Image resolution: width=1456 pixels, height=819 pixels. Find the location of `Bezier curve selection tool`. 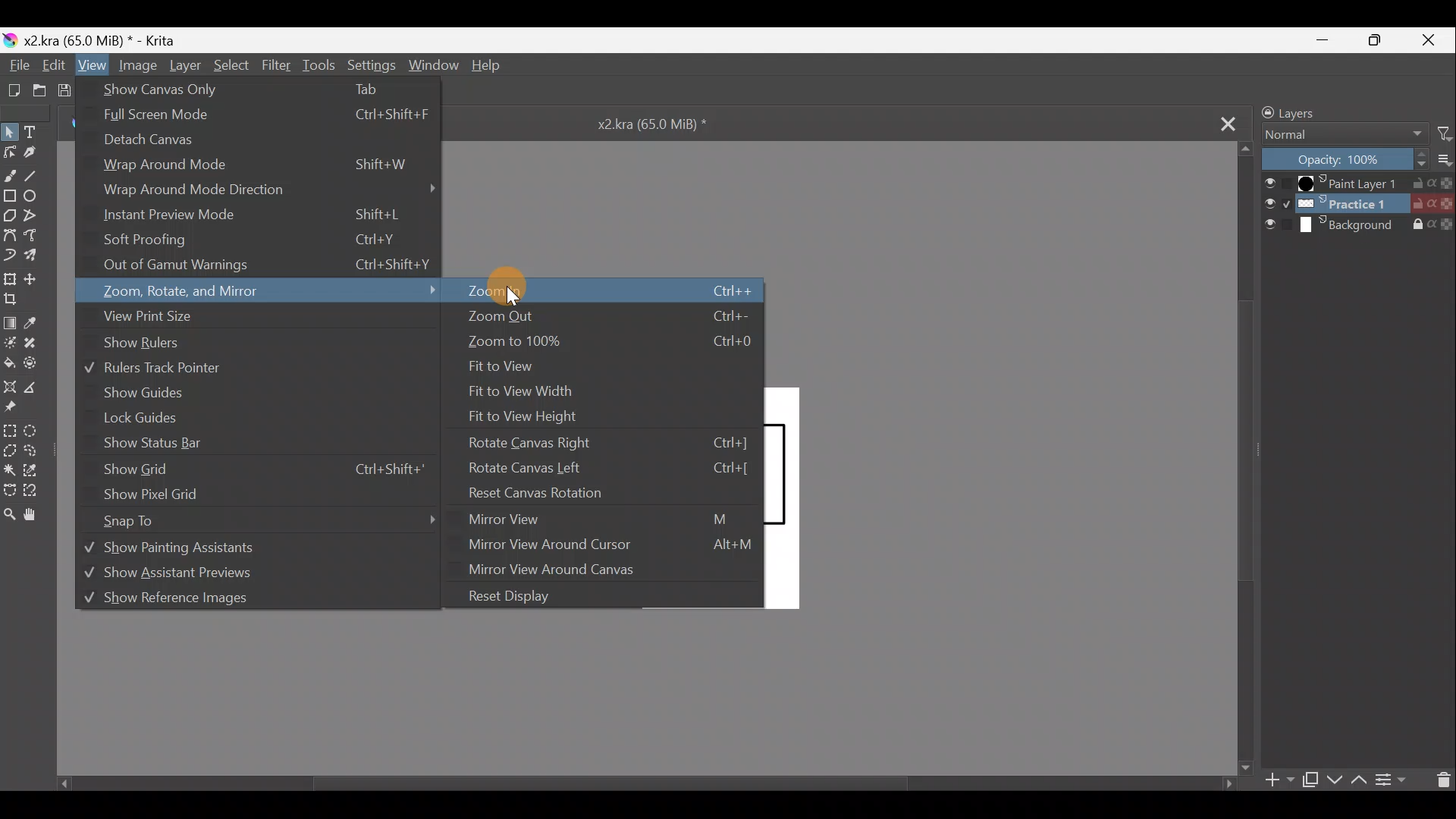

Bezier curve selection tool is located at coordinates (13, 491).